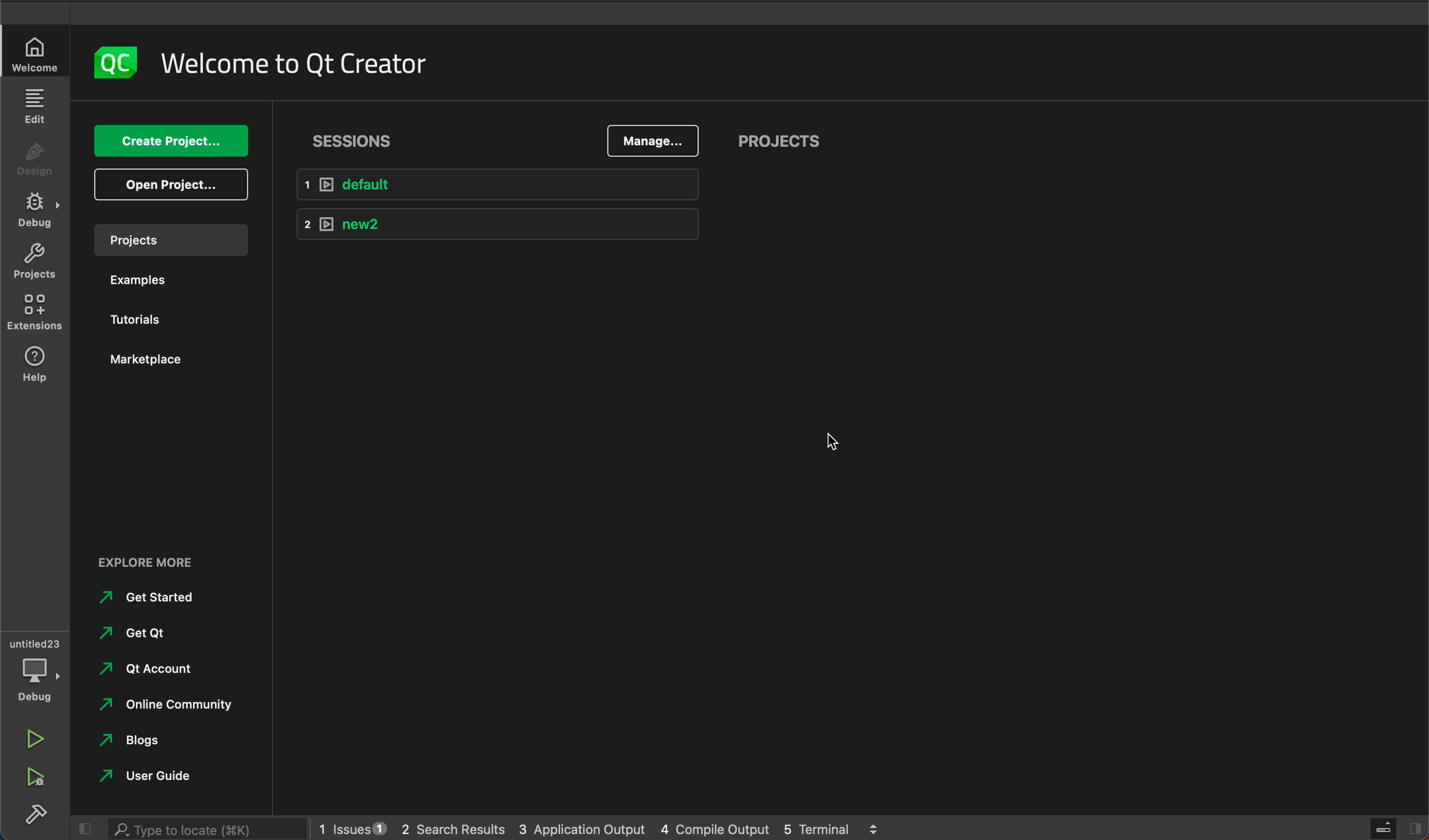  What do you see at coordinates (152, 360) in the screenshot?
I see `marketplace` at bounding box center [152, 360].